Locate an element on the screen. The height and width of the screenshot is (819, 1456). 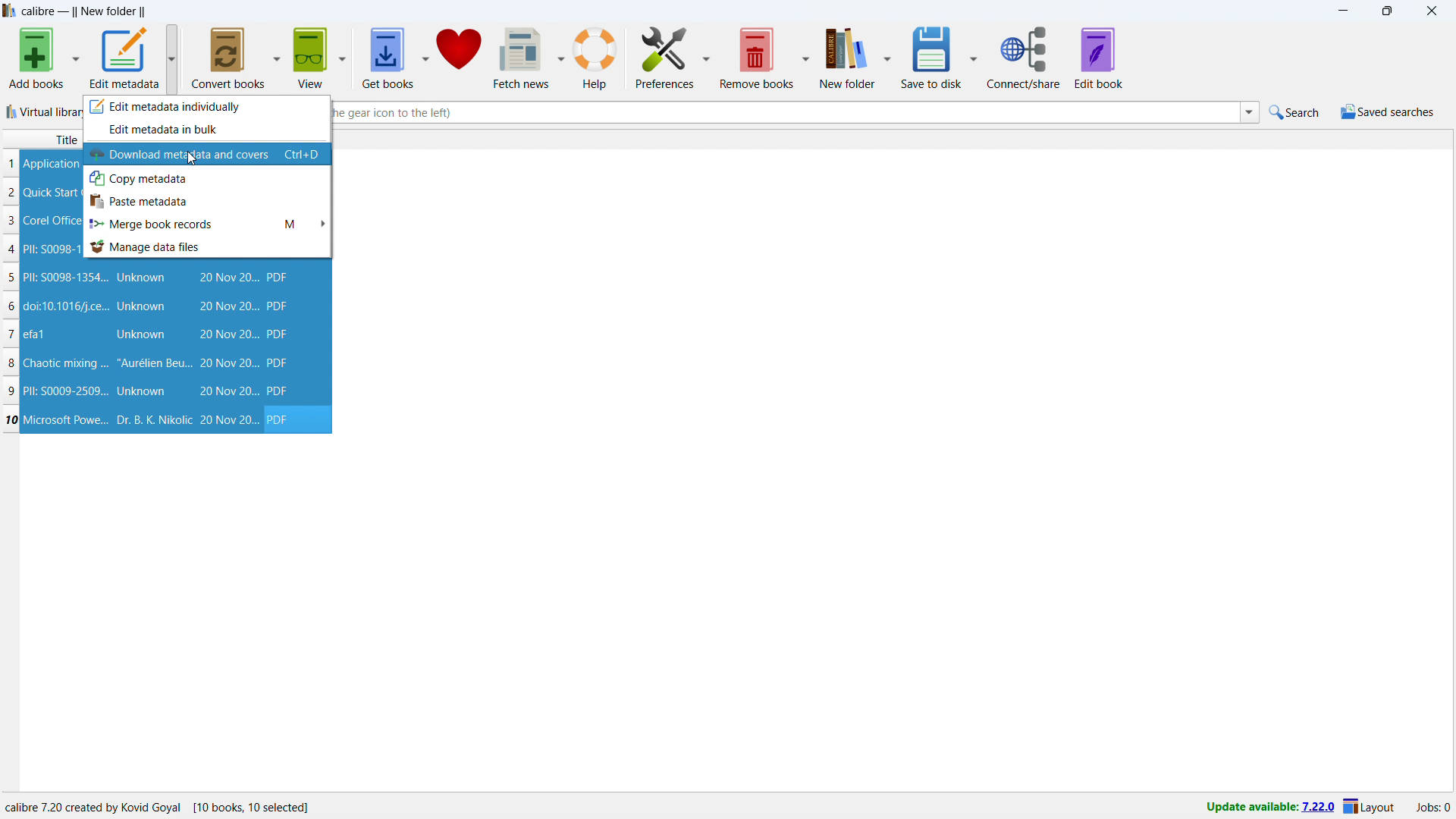
edit metadata is located at coordinates (125, 57).